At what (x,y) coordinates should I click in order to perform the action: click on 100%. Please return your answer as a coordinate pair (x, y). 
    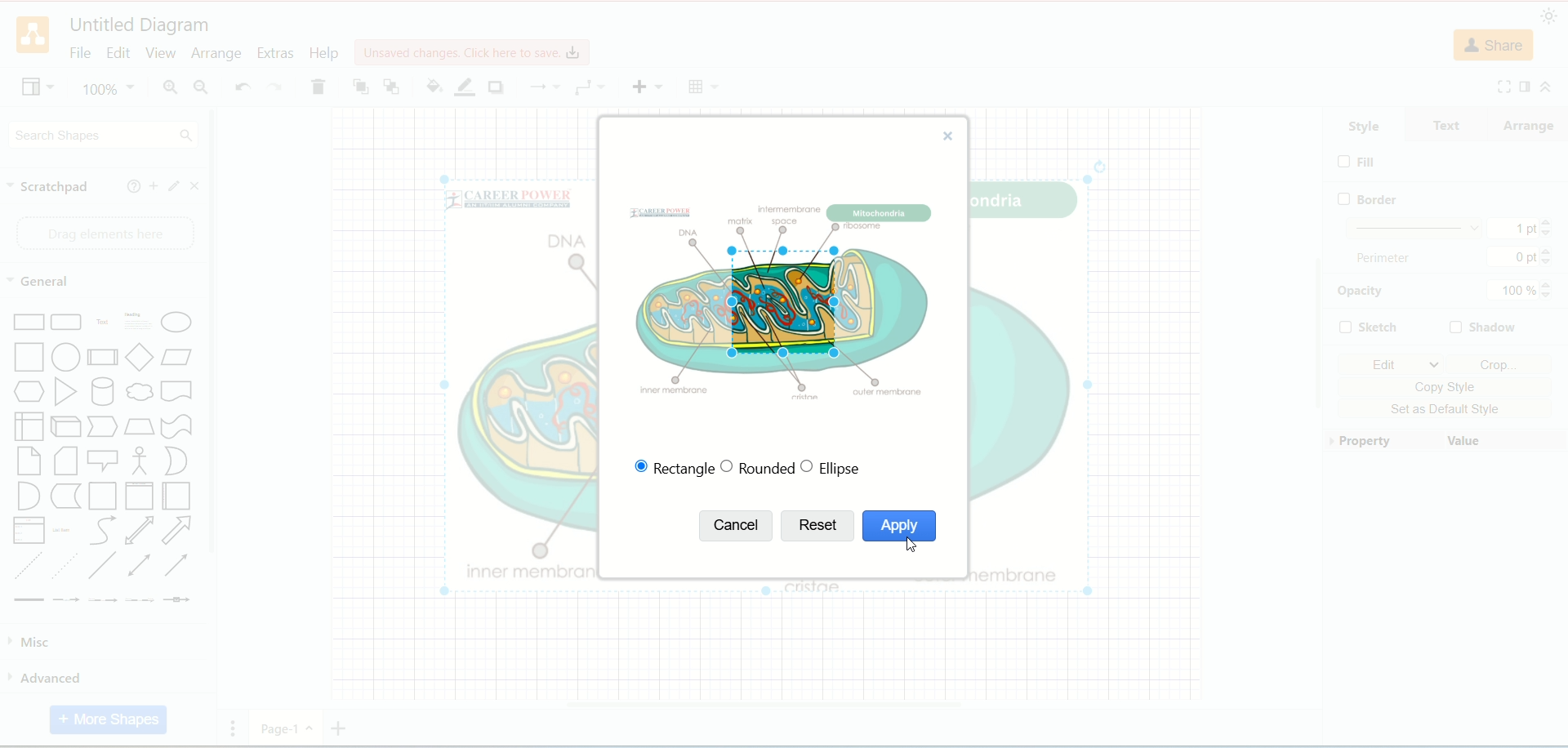
    Looking at the image, I should click on (1520, 292).